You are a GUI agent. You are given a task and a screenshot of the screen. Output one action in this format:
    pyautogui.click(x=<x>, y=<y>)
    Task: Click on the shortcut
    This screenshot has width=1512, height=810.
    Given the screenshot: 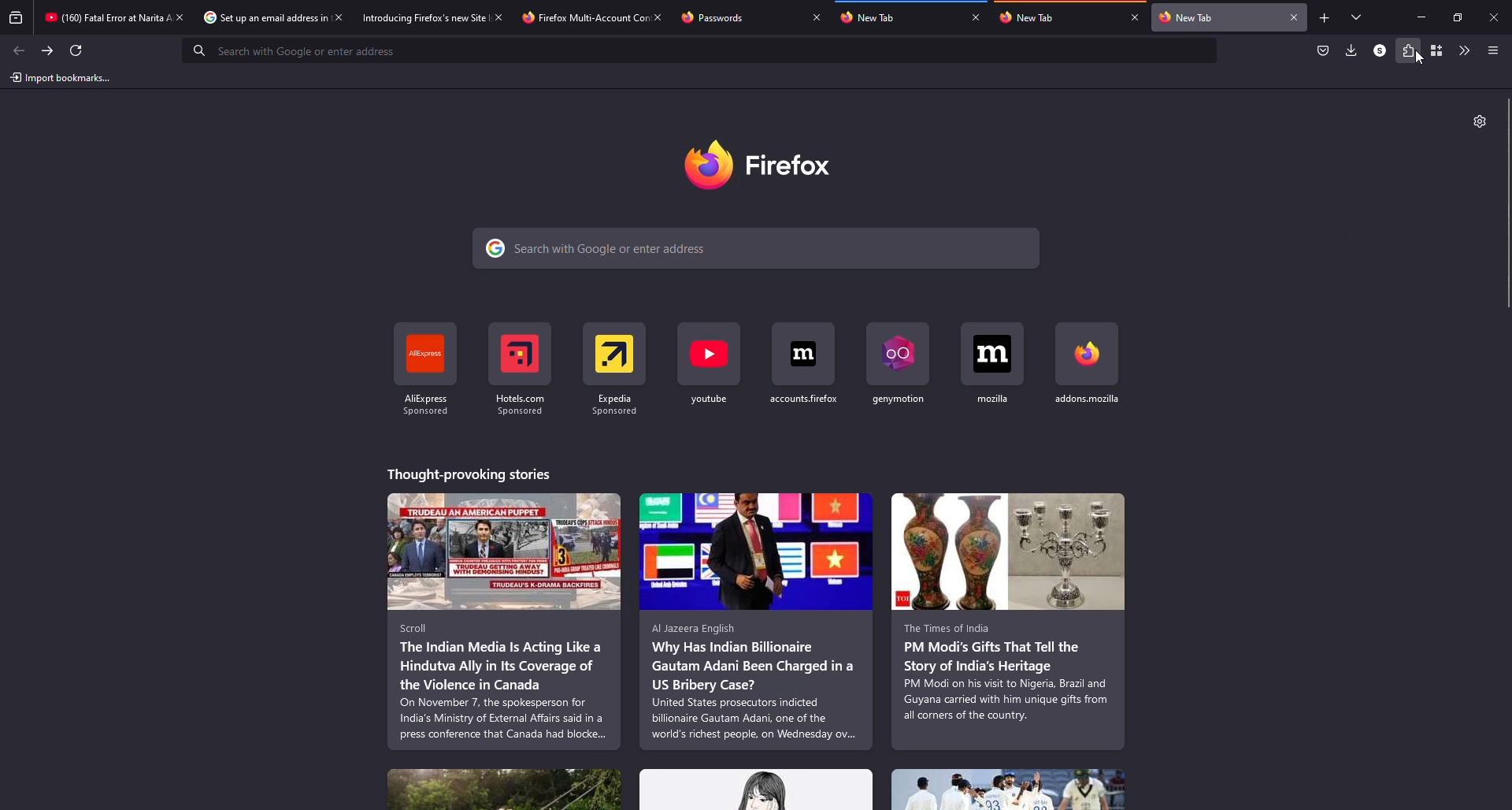 What is the action you would take?
    pyautogui.click(x=905, y=372)
    